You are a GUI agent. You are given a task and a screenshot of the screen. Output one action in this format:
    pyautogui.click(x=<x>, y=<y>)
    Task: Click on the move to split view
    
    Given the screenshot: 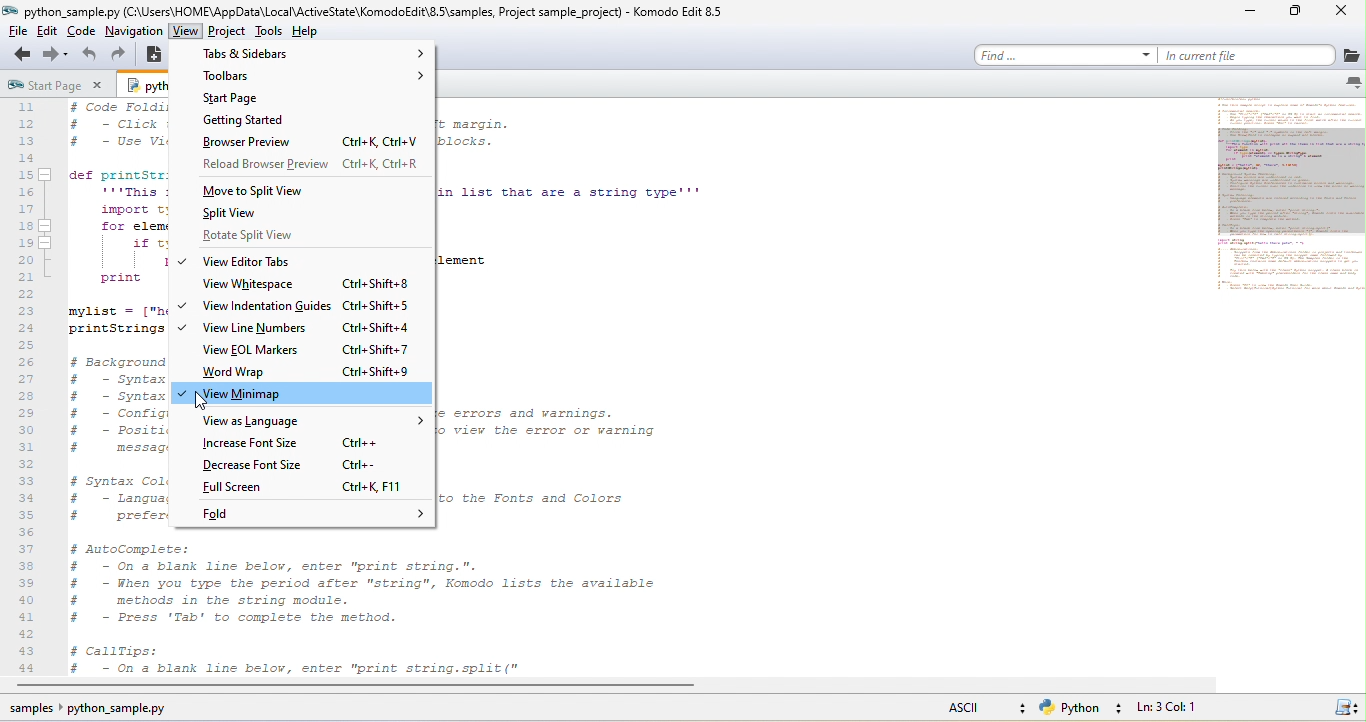 What is the action you would take?
    pyautogui.click(x=261, y=186)
    